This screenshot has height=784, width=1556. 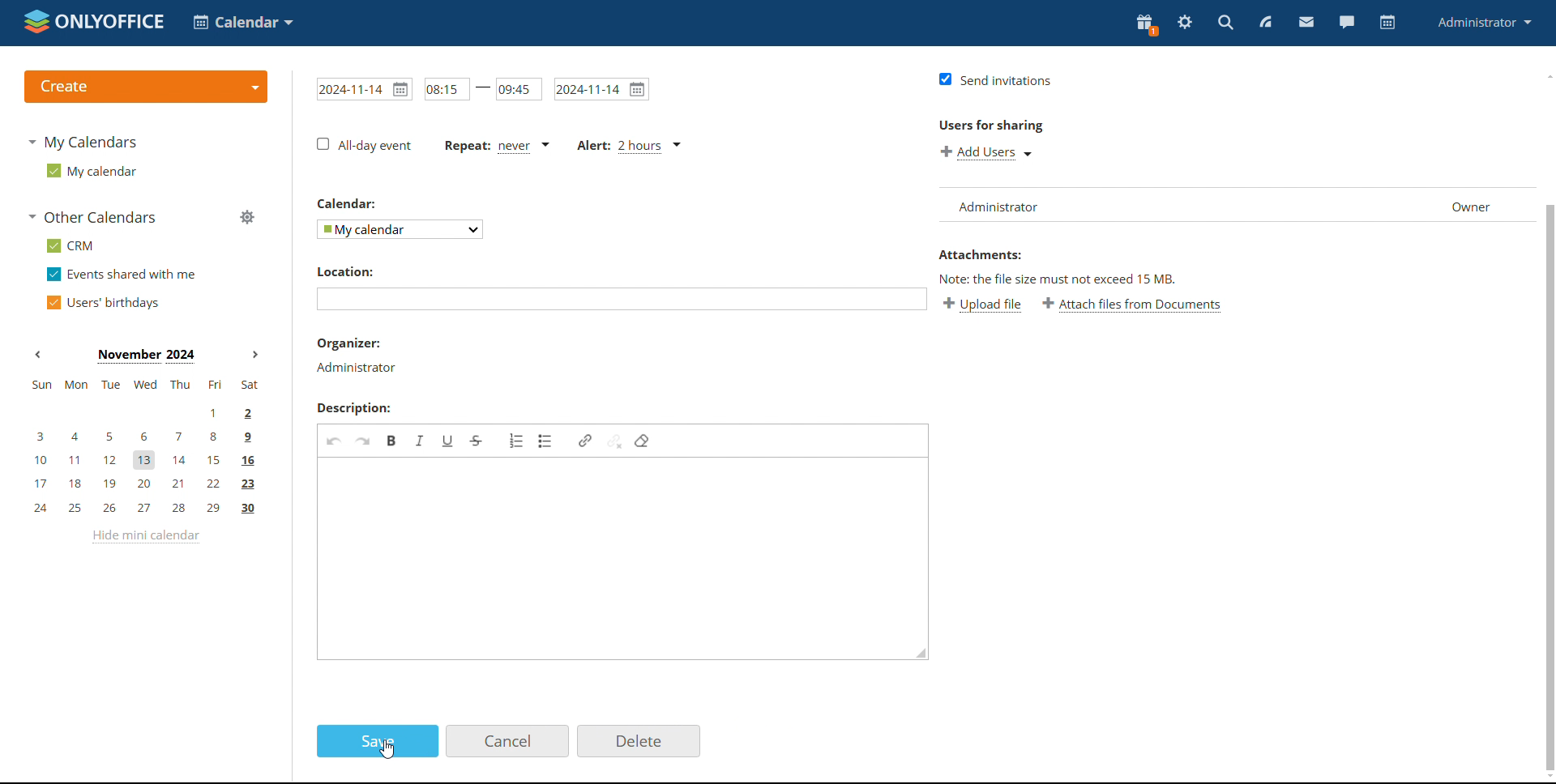 What do you see at coordinates (513, 441) in the screenshot?
I see `insert/remove numbered list` at bounding box center [513, 441].